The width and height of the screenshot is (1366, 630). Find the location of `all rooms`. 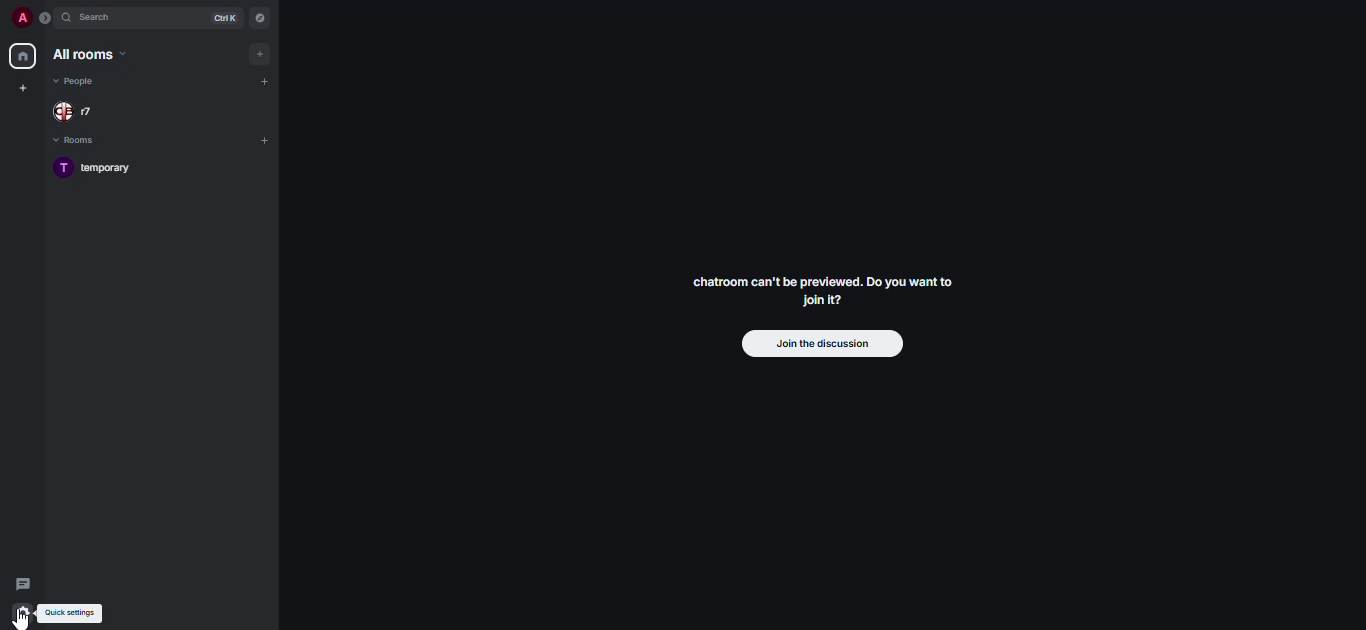

all rooms is located at coordinates (90, 54).